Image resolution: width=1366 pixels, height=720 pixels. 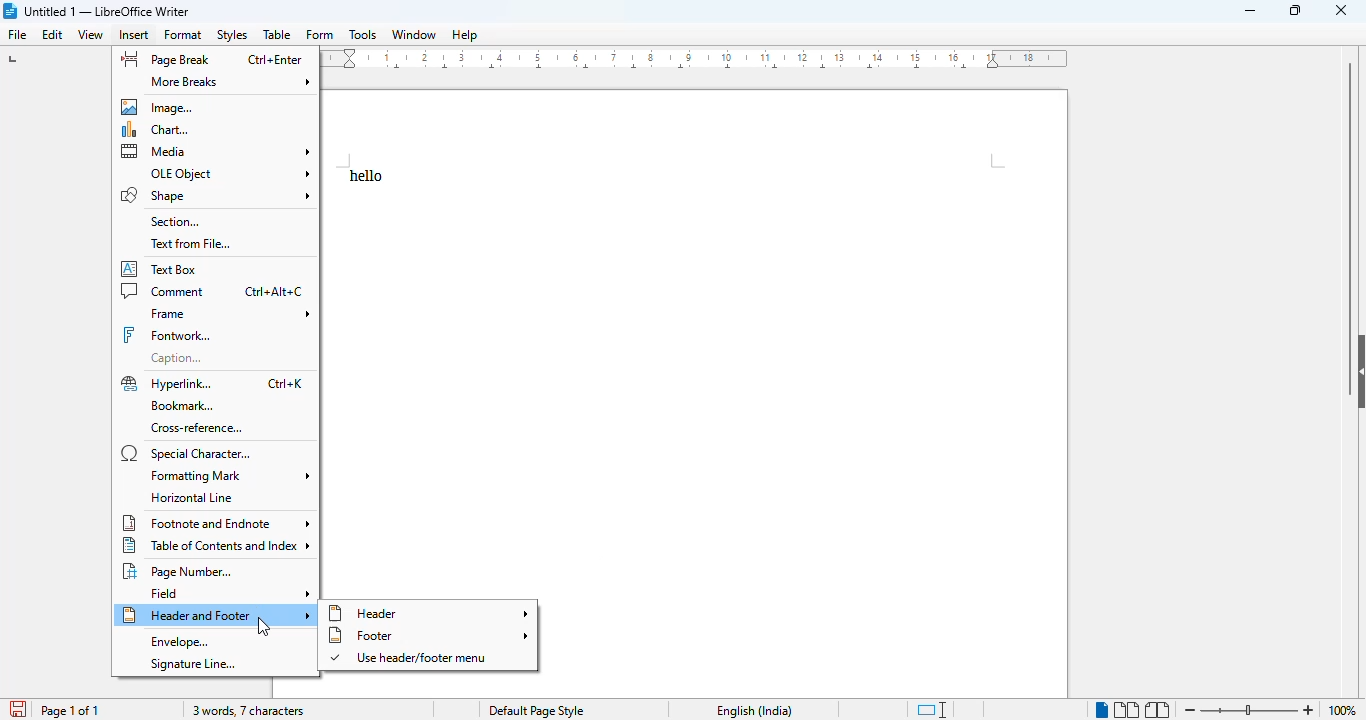 What do you see at coordinates (1190, 709) in the screenshot?
I see `zoom out` at bounding box center [1190, 709].